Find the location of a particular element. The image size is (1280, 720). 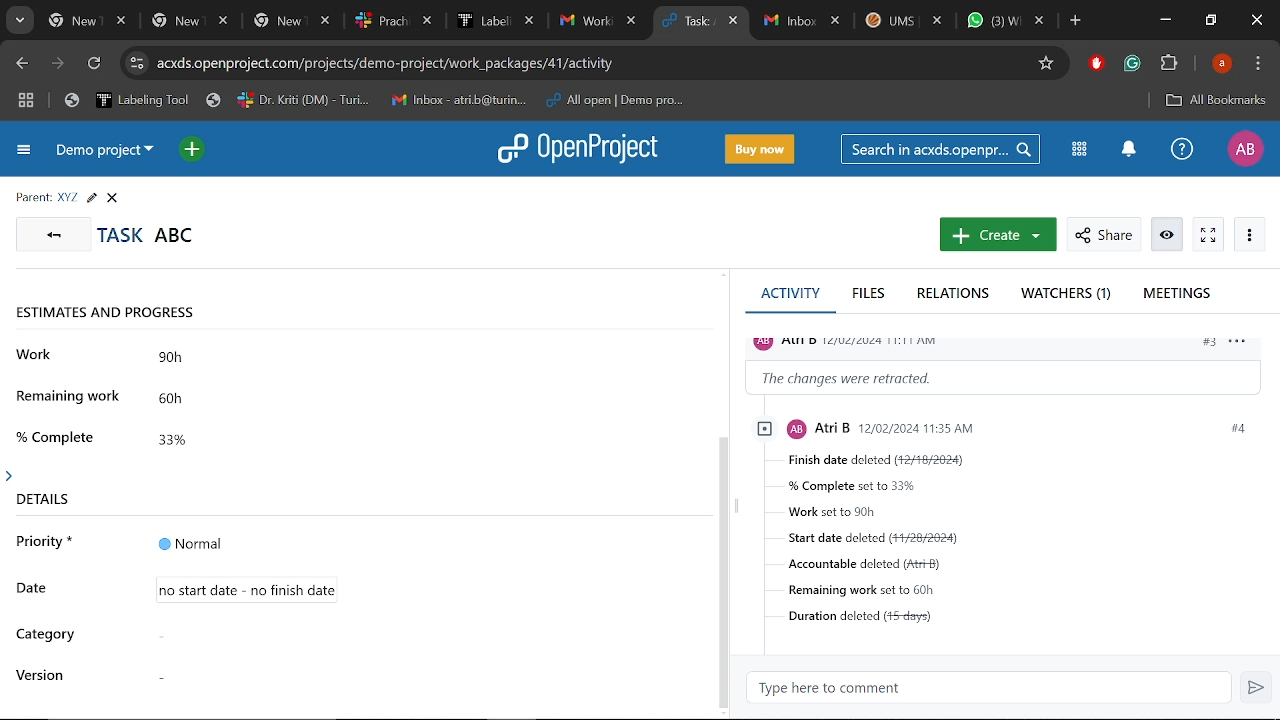

version is located at coordinates (43, 675).